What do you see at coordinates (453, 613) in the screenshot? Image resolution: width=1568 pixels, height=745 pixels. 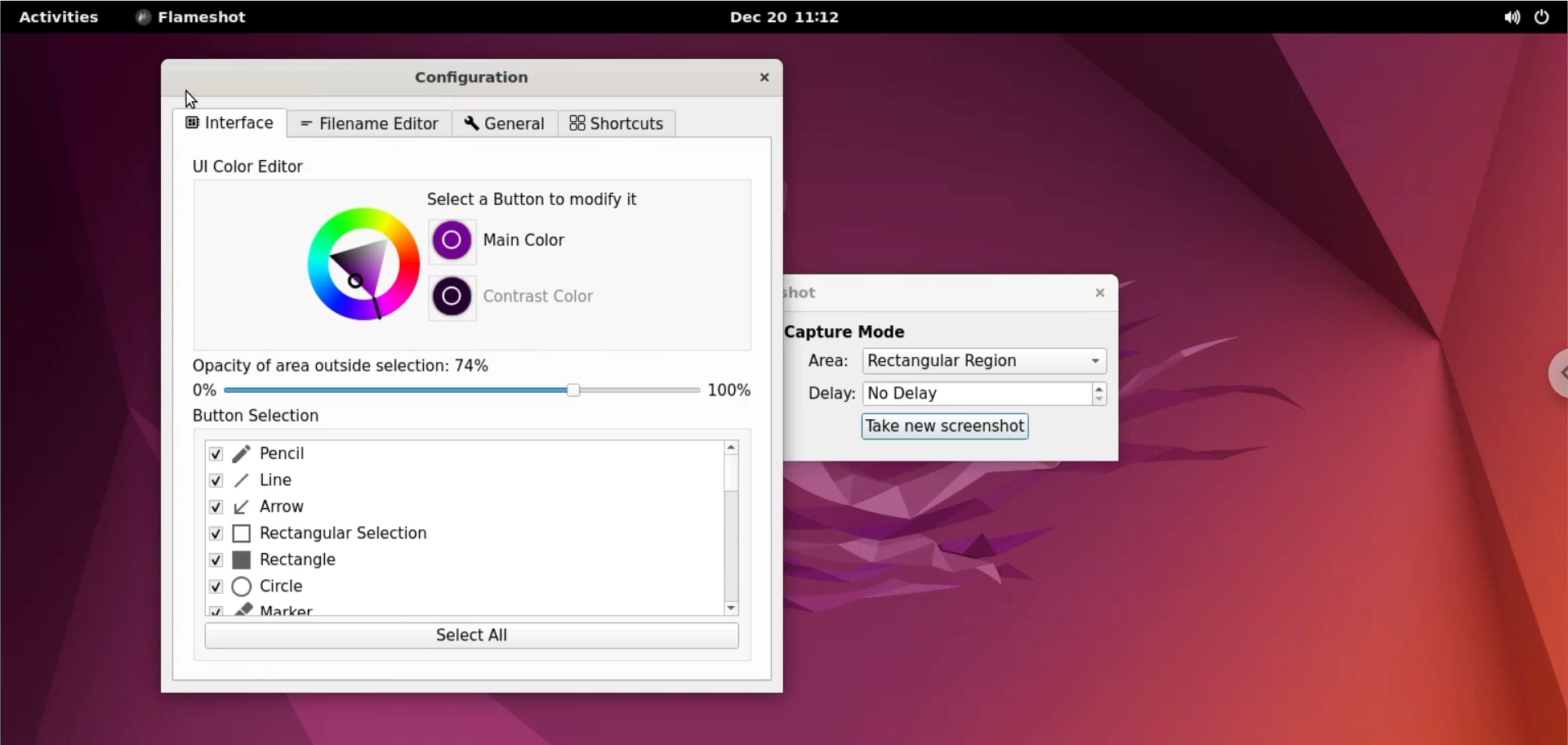 I see `marker chekcbox` at bounding box center [453, 613].